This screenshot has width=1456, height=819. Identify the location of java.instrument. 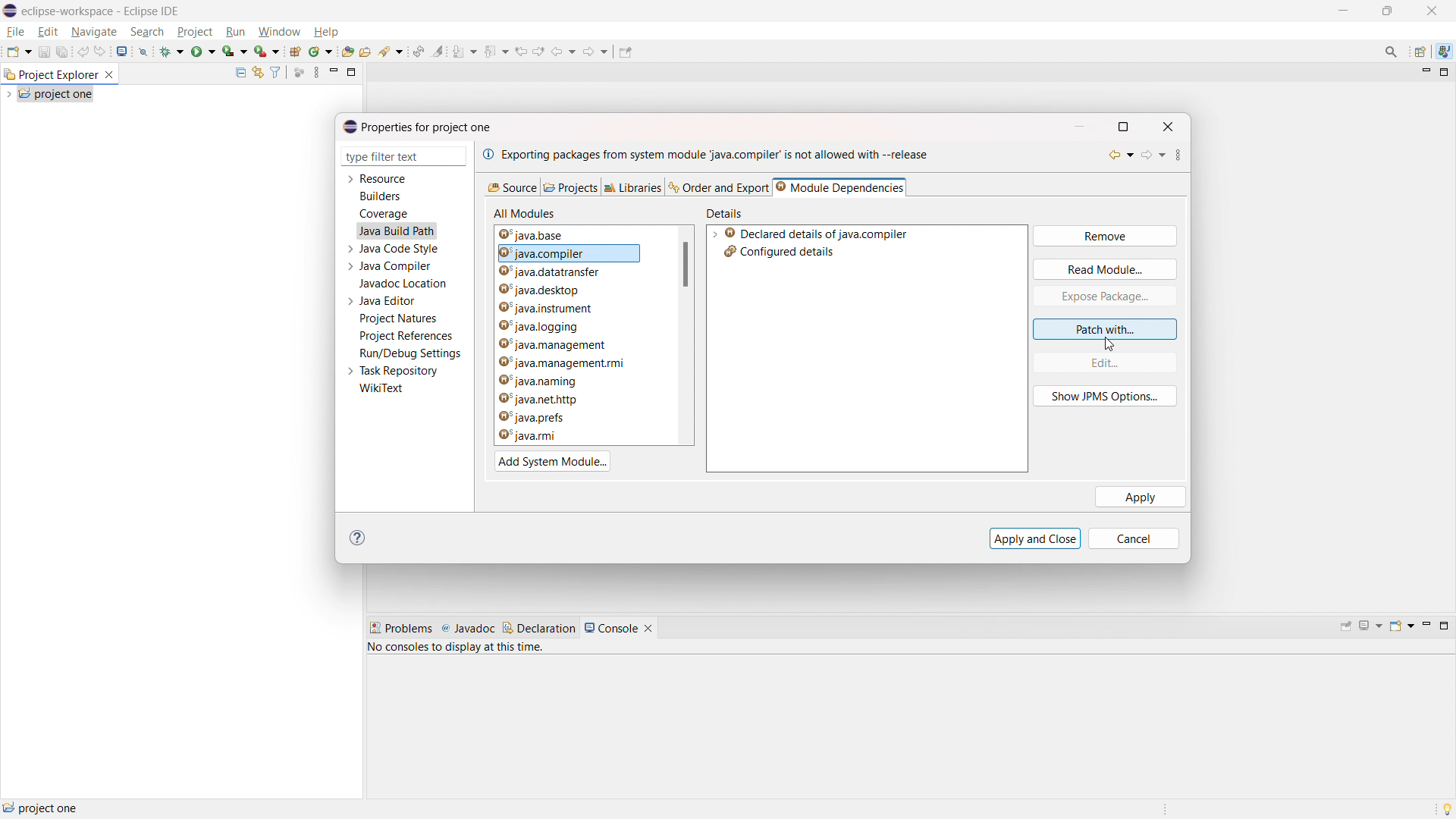
(575, 307).